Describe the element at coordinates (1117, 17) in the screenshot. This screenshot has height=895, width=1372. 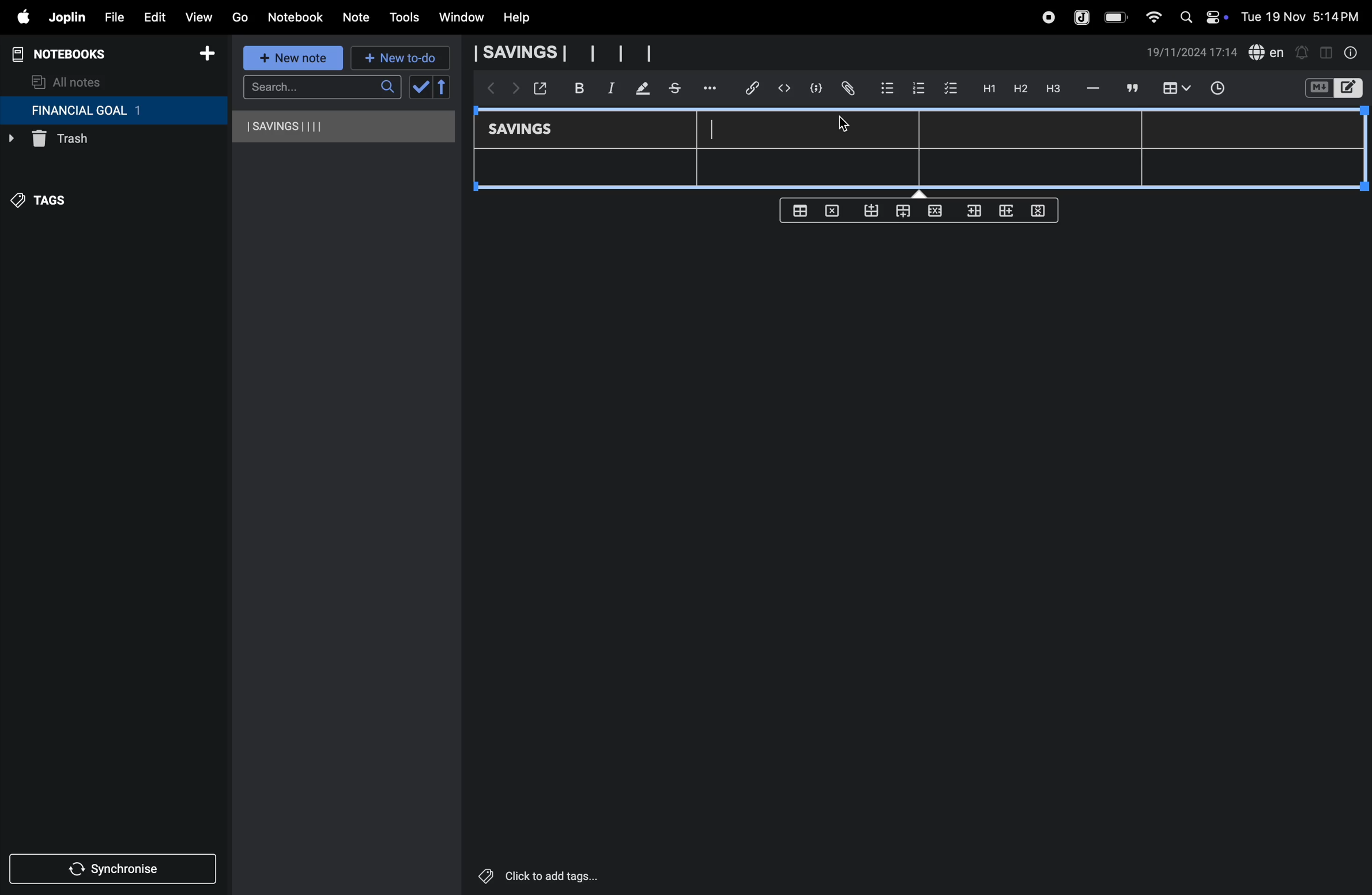
I see `battery` at that location.